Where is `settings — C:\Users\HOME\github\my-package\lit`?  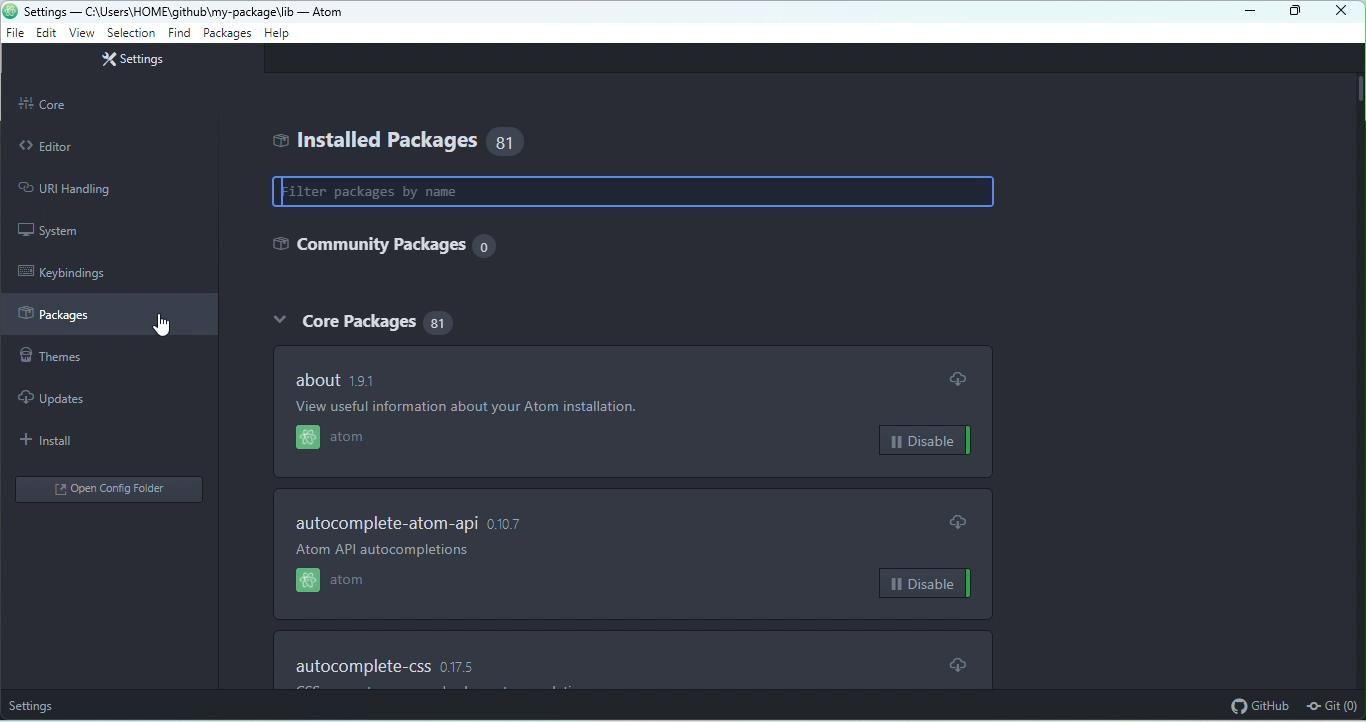 settings — C:\Users\HOME\github\my-package\lit is located at coordinates (159, 11).